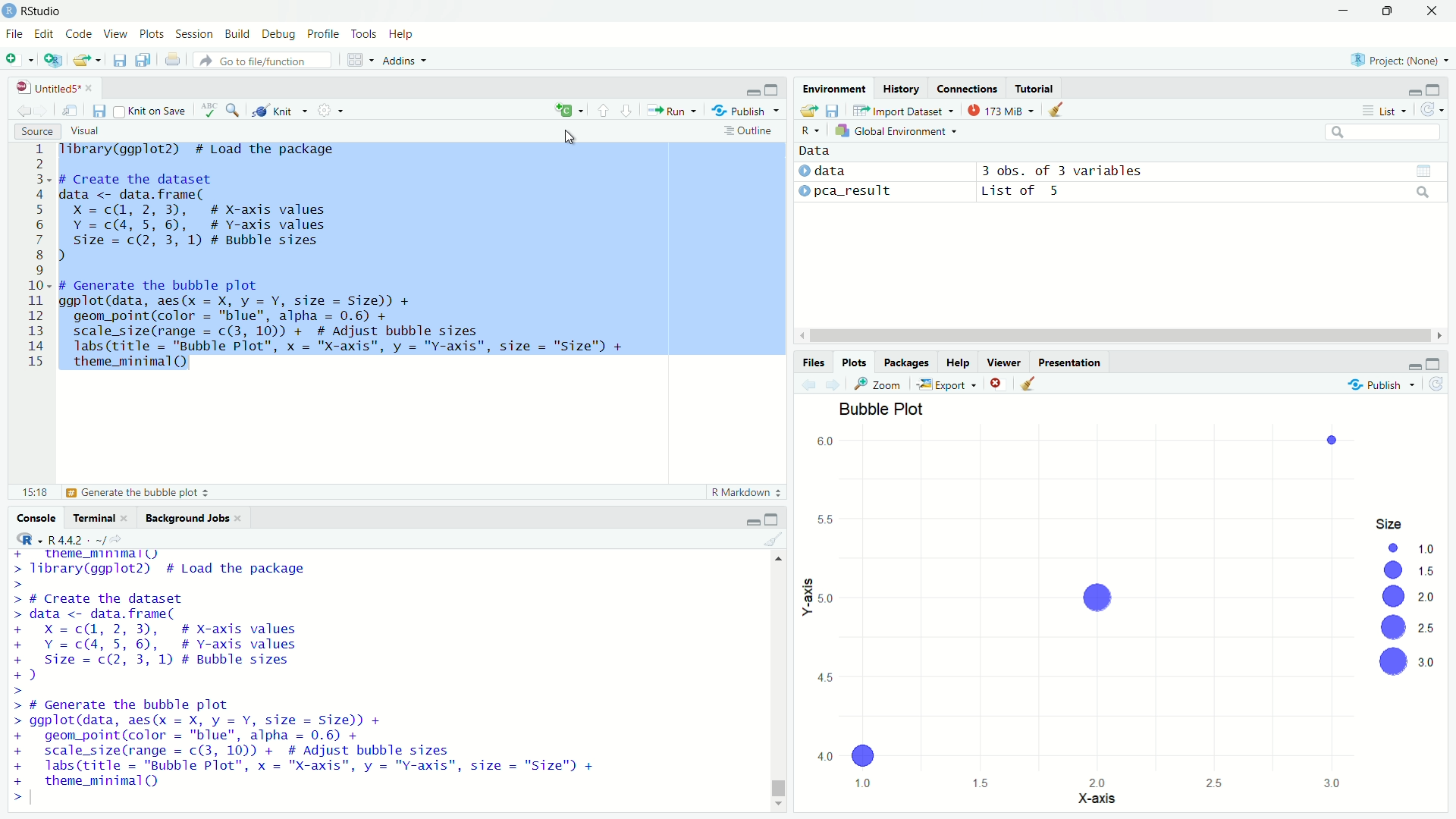 The width and height of the screenshot is (1456, 819). What do you see at coordinates (836, 89) in the screenshot?
I see `environment` at bounding box center [836, 89].